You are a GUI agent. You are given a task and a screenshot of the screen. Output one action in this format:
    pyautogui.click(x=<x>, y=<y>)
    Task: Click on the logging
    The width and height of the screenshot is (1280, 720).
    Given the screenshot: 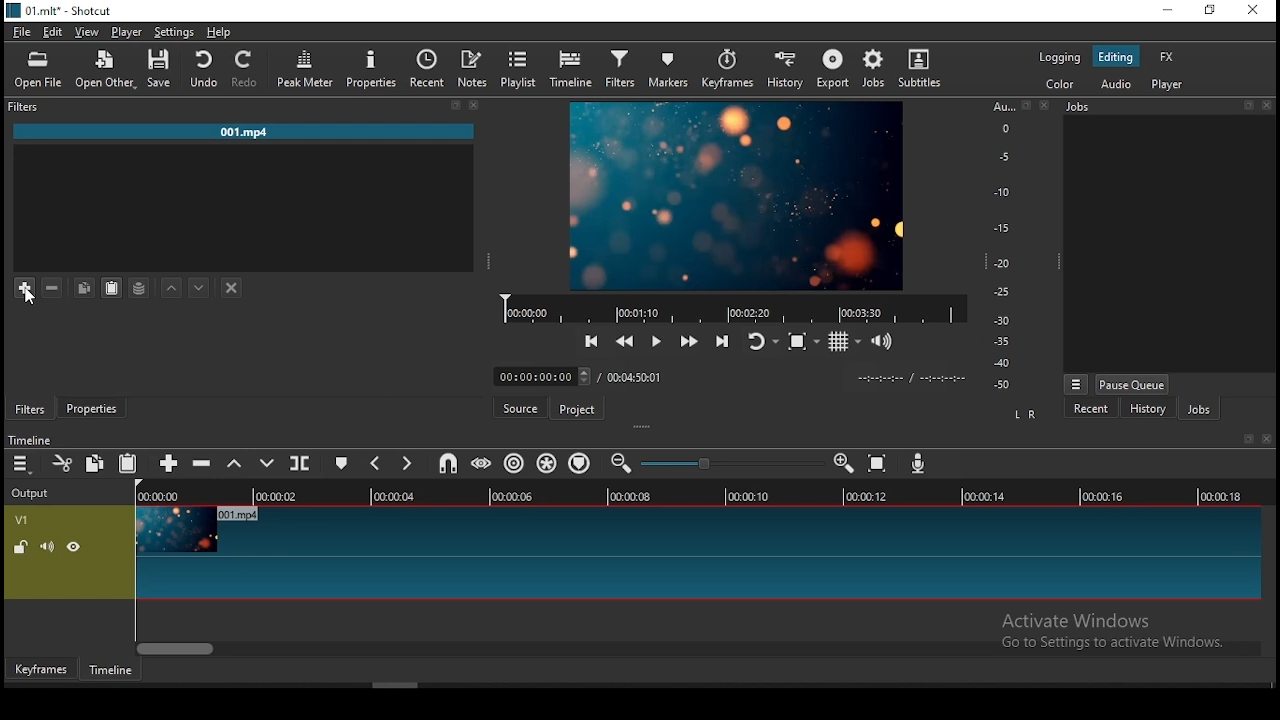 What is the action you would take?
    pyautogui.click(x=1058, y=54)
    